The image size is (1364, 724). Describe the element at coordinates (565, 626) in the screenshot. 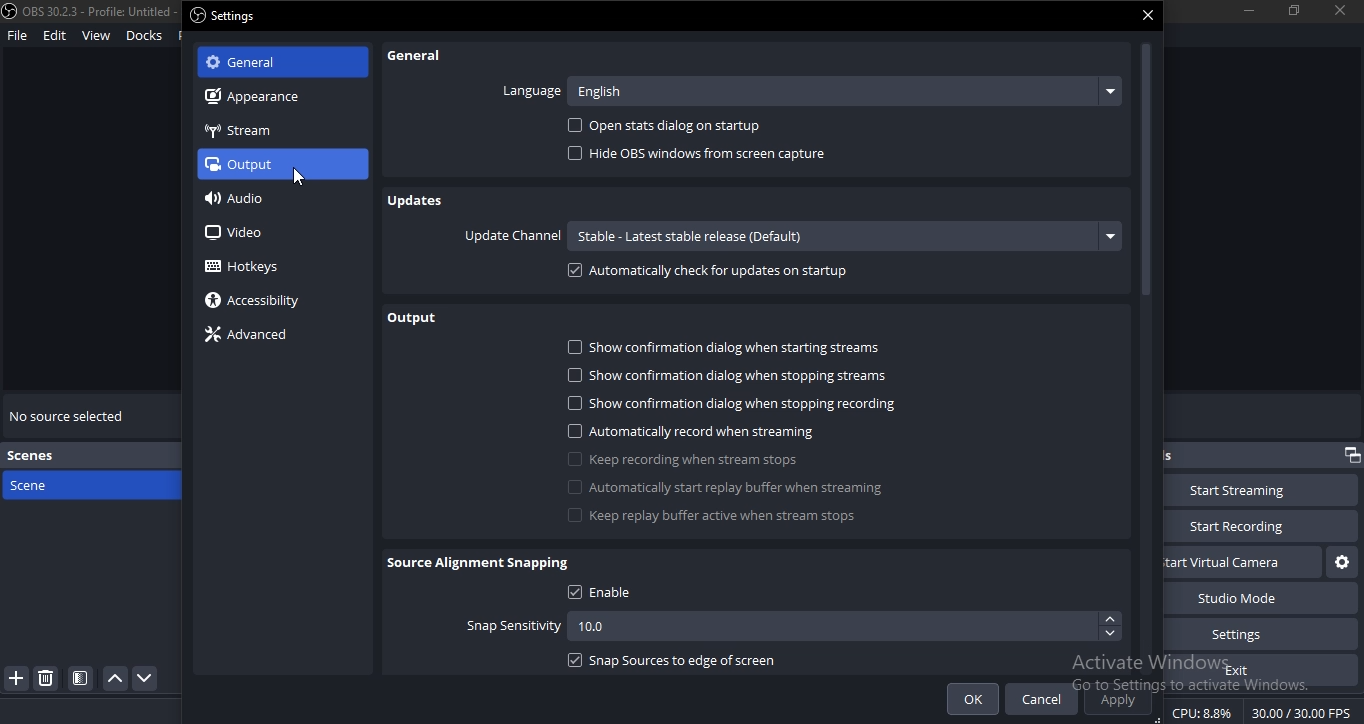

I see `snap senstivity` at that location.